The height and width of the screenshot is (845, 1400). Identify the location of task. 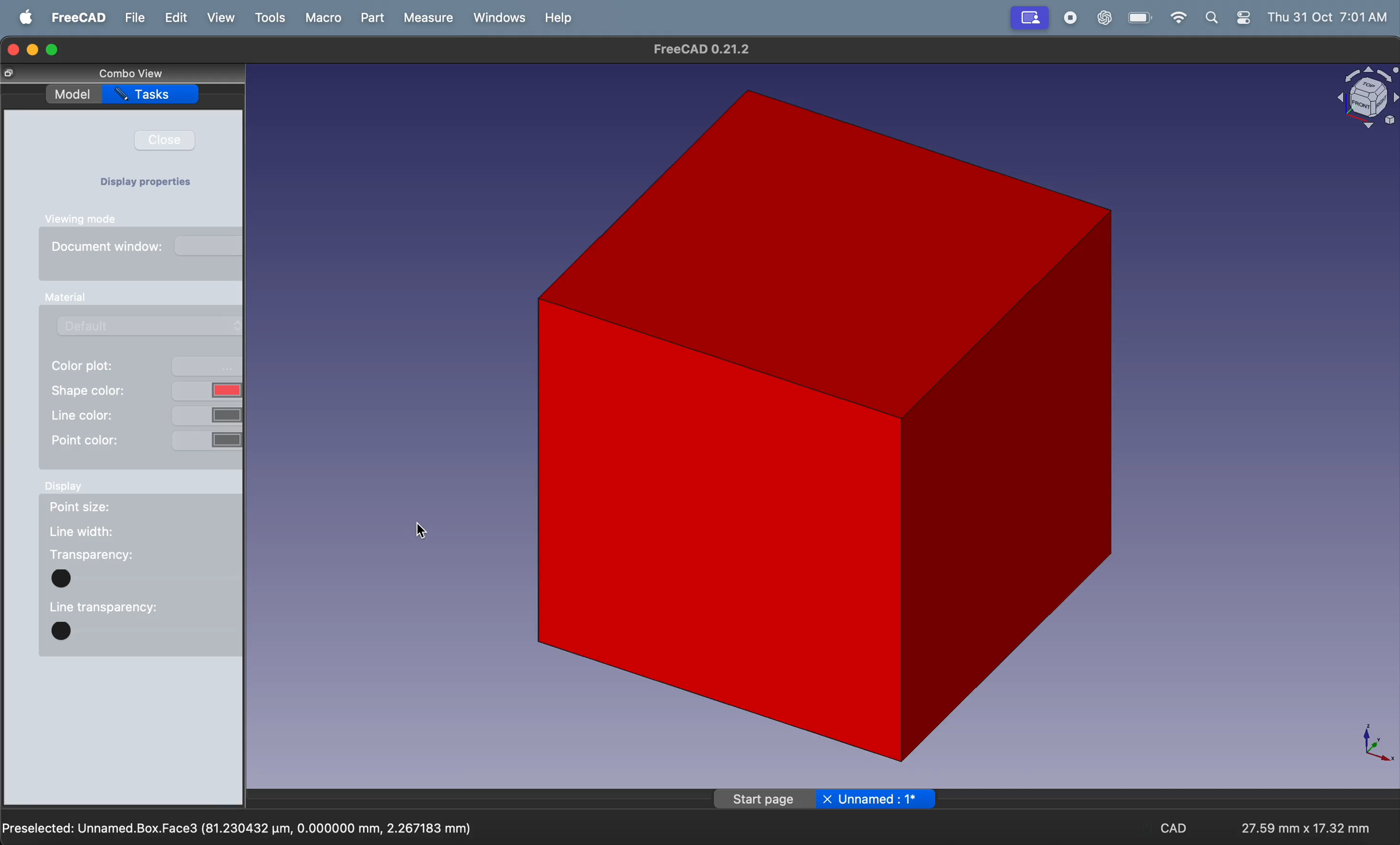
(152, 97).